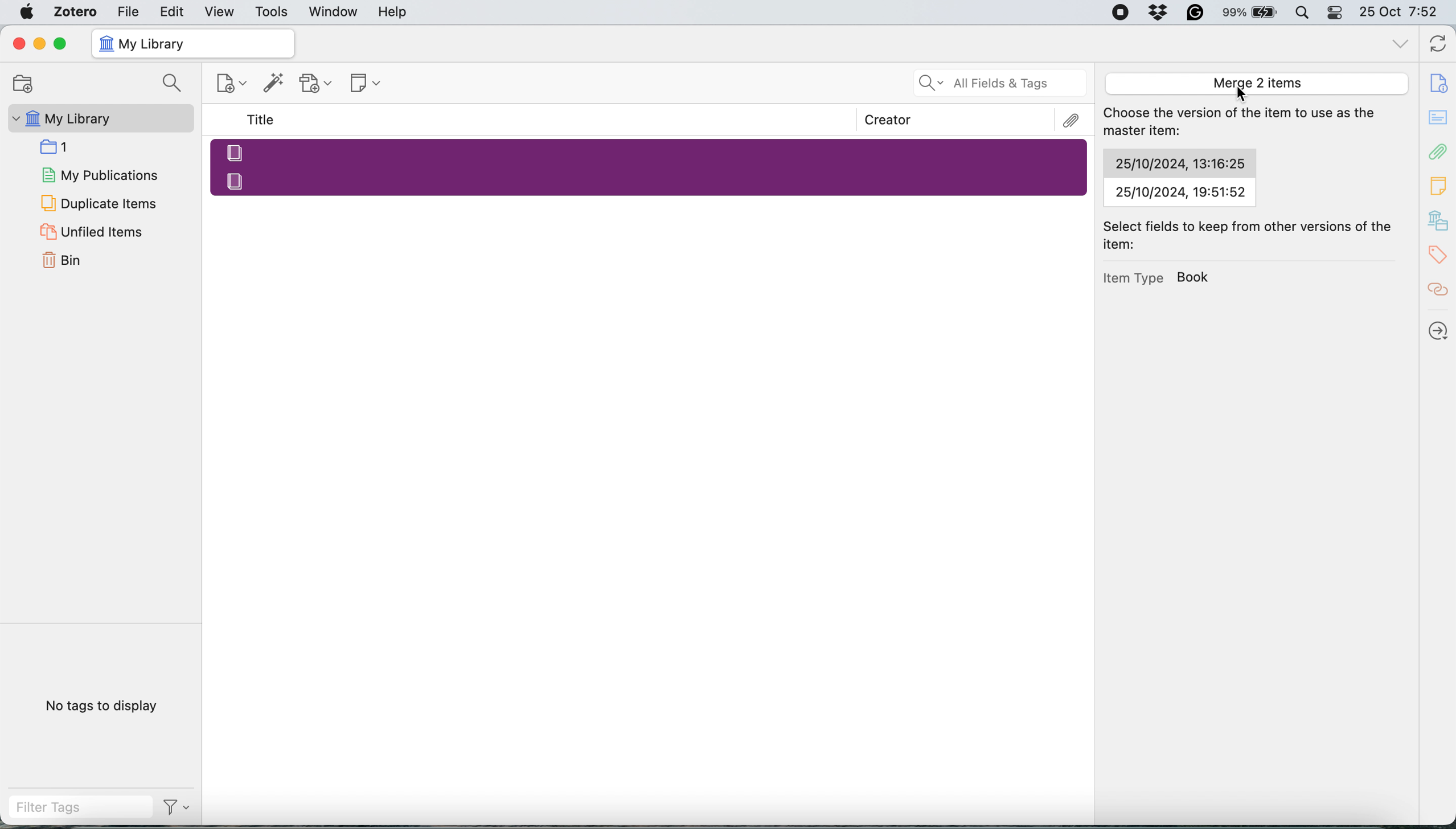 This screenshot has height=829, width=1456. What do you see at coordinates (38, 44) in the screenshot?
I see `Minimize` at bounding box center [38, 44].